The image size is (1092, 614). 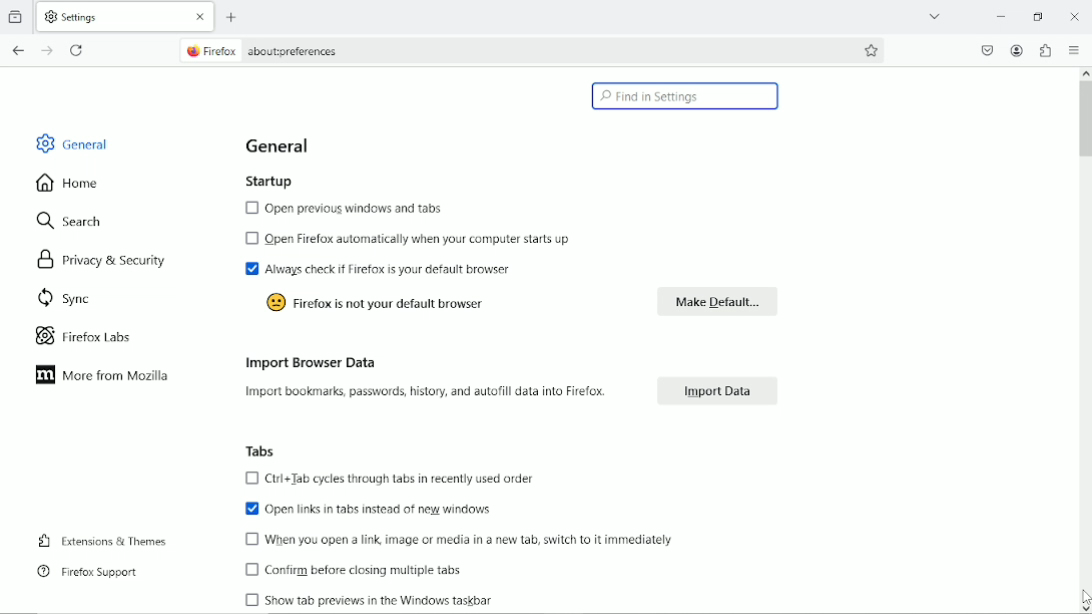 I want to click on Ctrl+Tab cycles through tabs in recently used order, so click(x=392, y=478).